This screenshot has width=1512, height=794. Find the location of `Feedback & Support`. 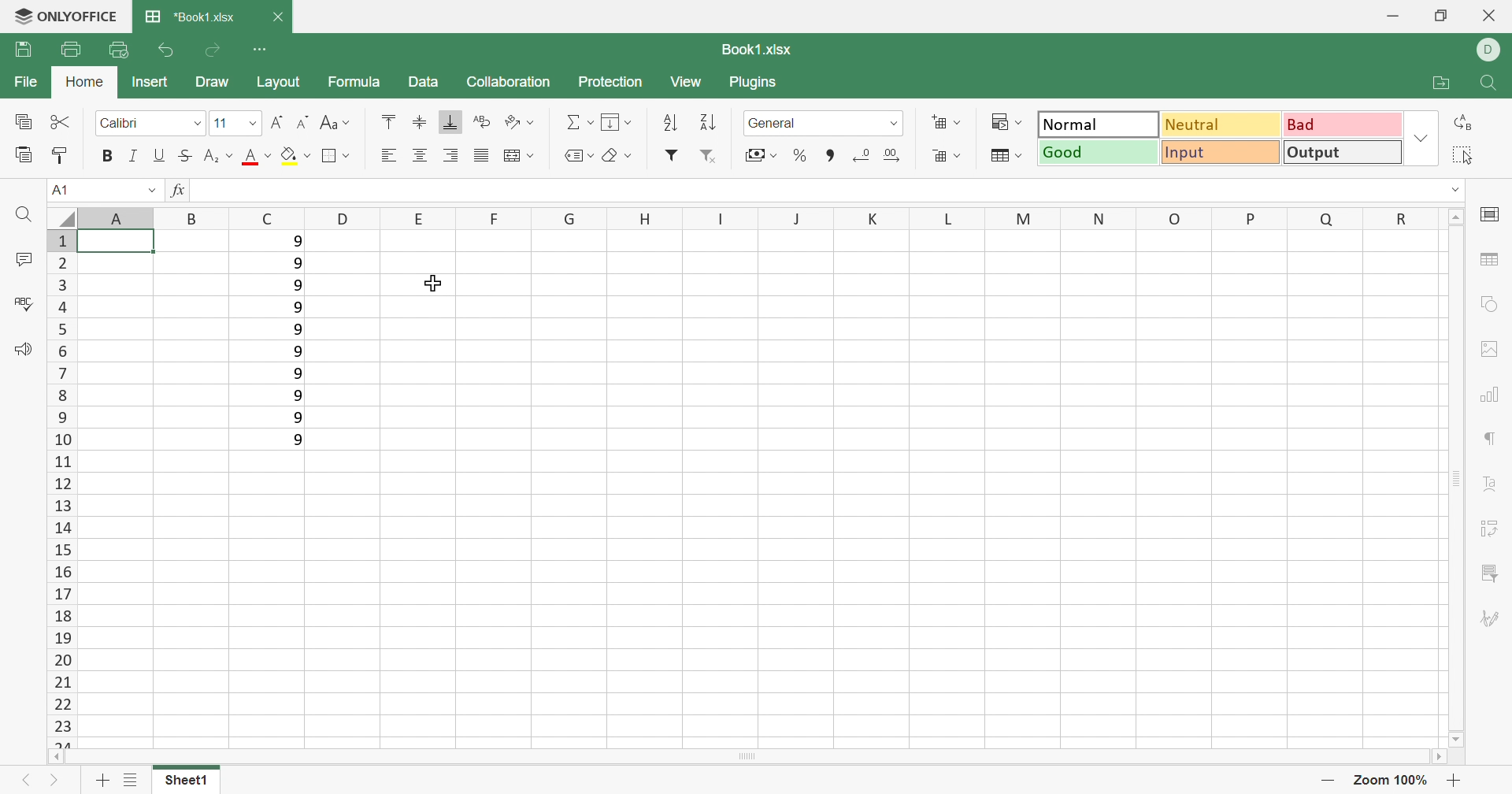

Feedback & Support is located at coordinates (23, 351).